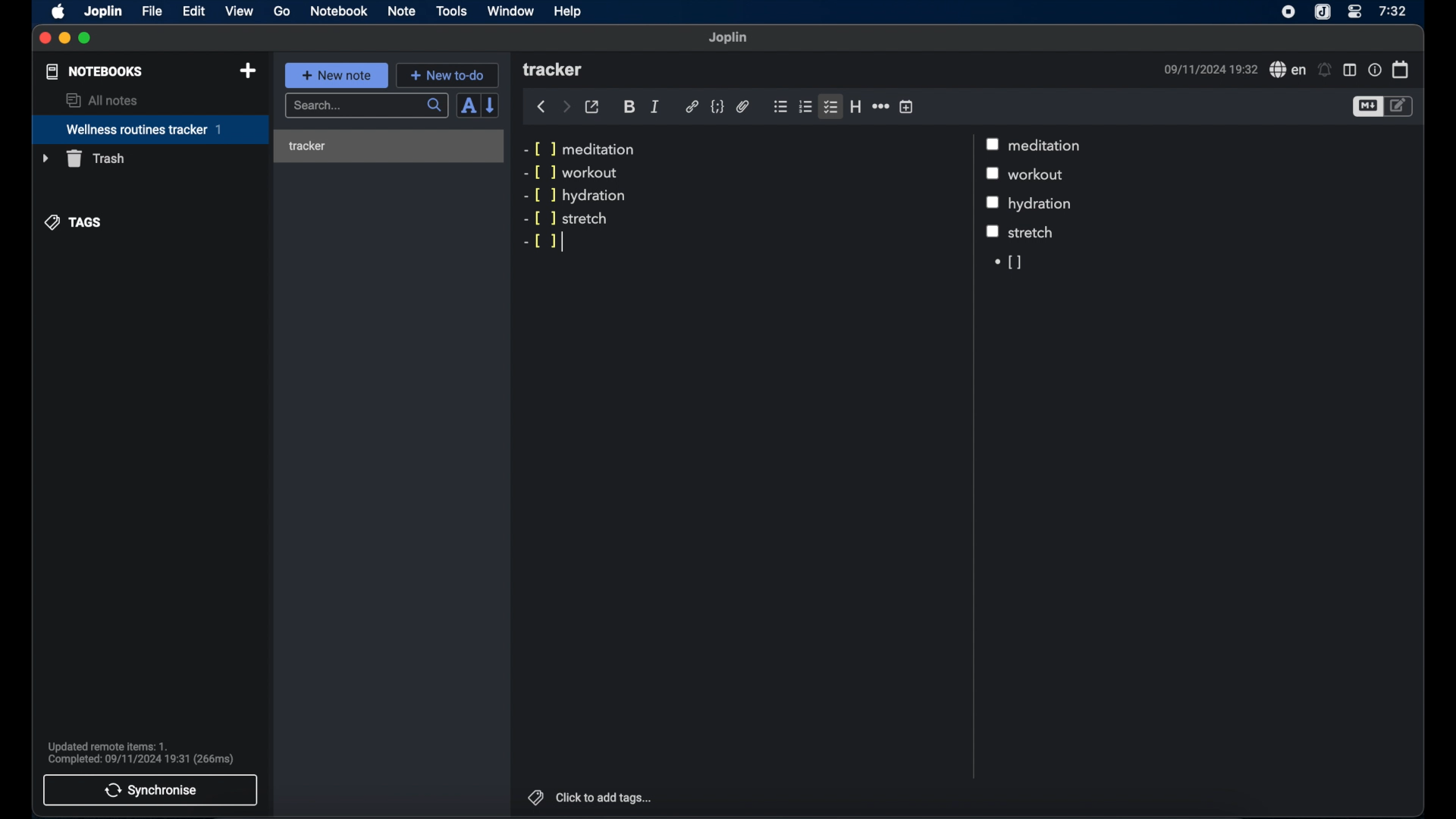 Image resolution: width=1456 pixels, height=819 pixels. Describe the element at coordinates (151, 790) in the screenshot. I see `synchronise` at that location.